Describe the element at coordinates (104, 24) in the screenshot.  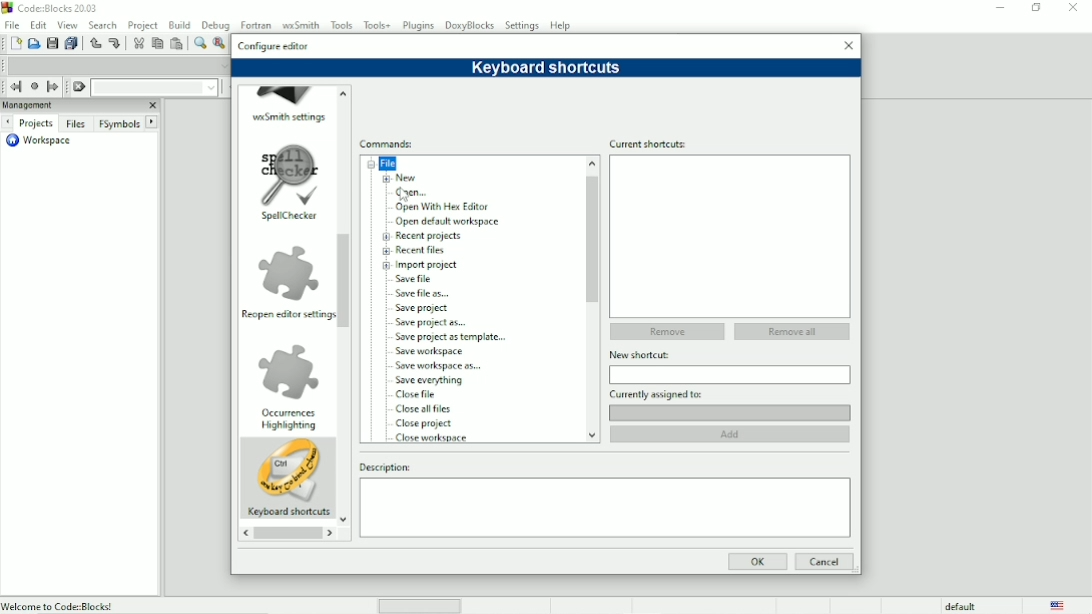
I see `Search` at that location.